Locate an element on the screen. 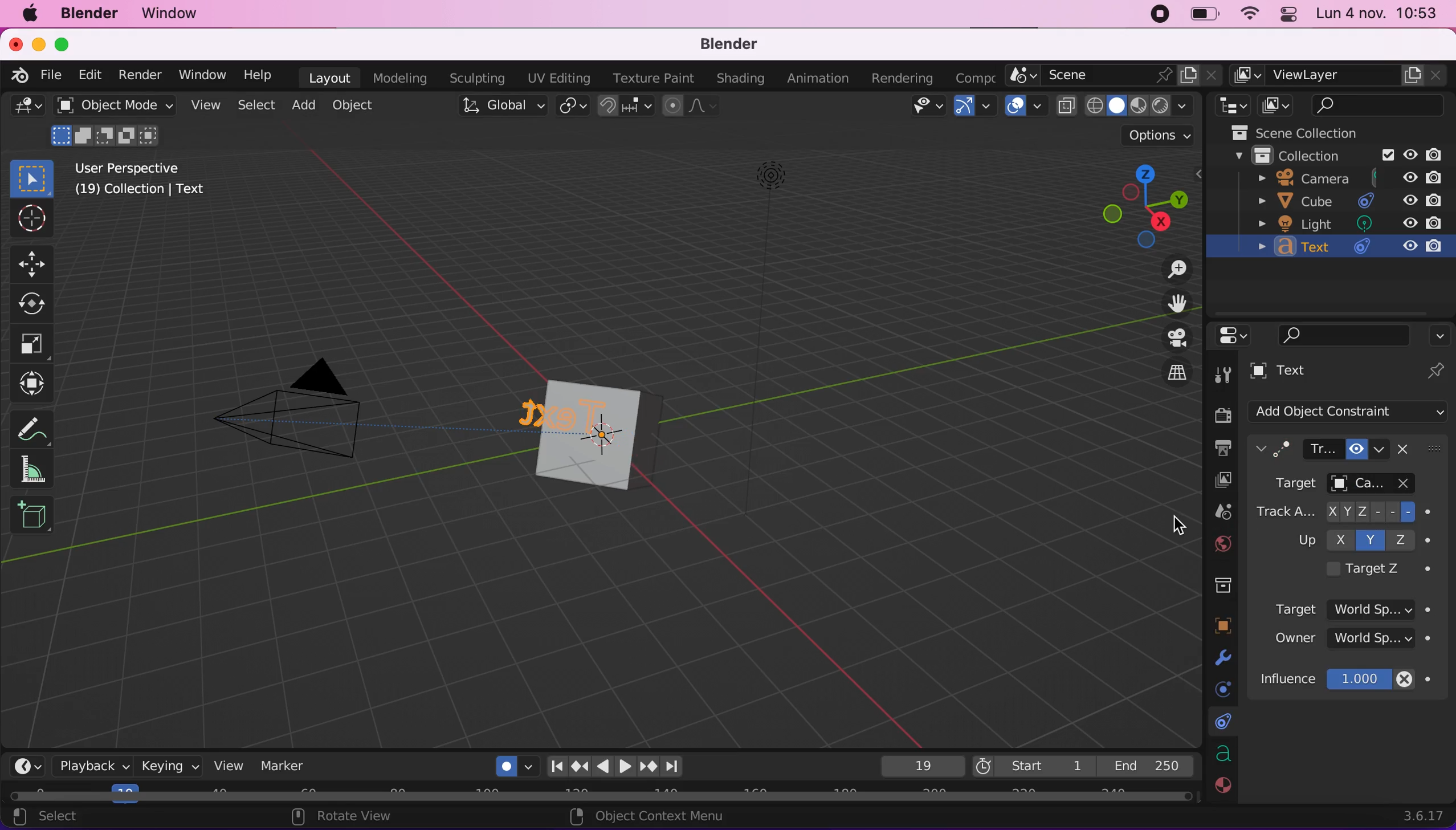 The width and height of the screenshot is (1456, 830). object is located at coordinates (360, 106).